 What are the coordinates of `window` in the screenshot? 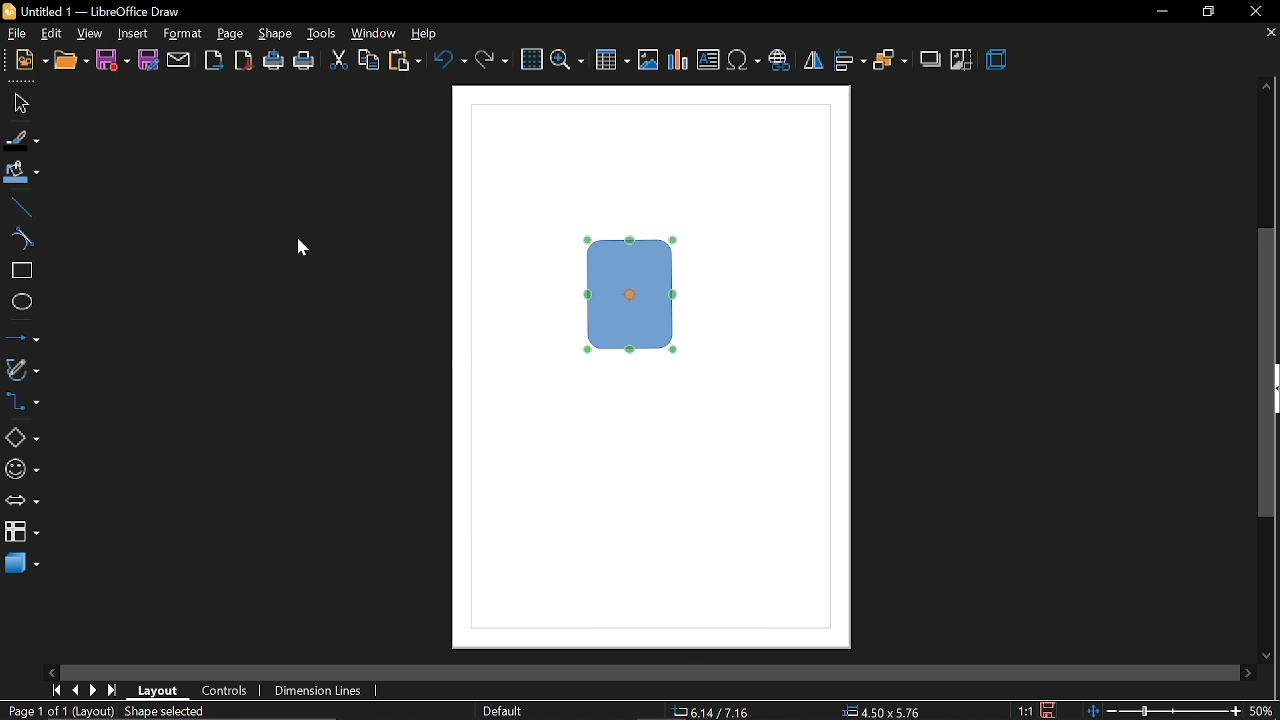 It's located at (375, 34).